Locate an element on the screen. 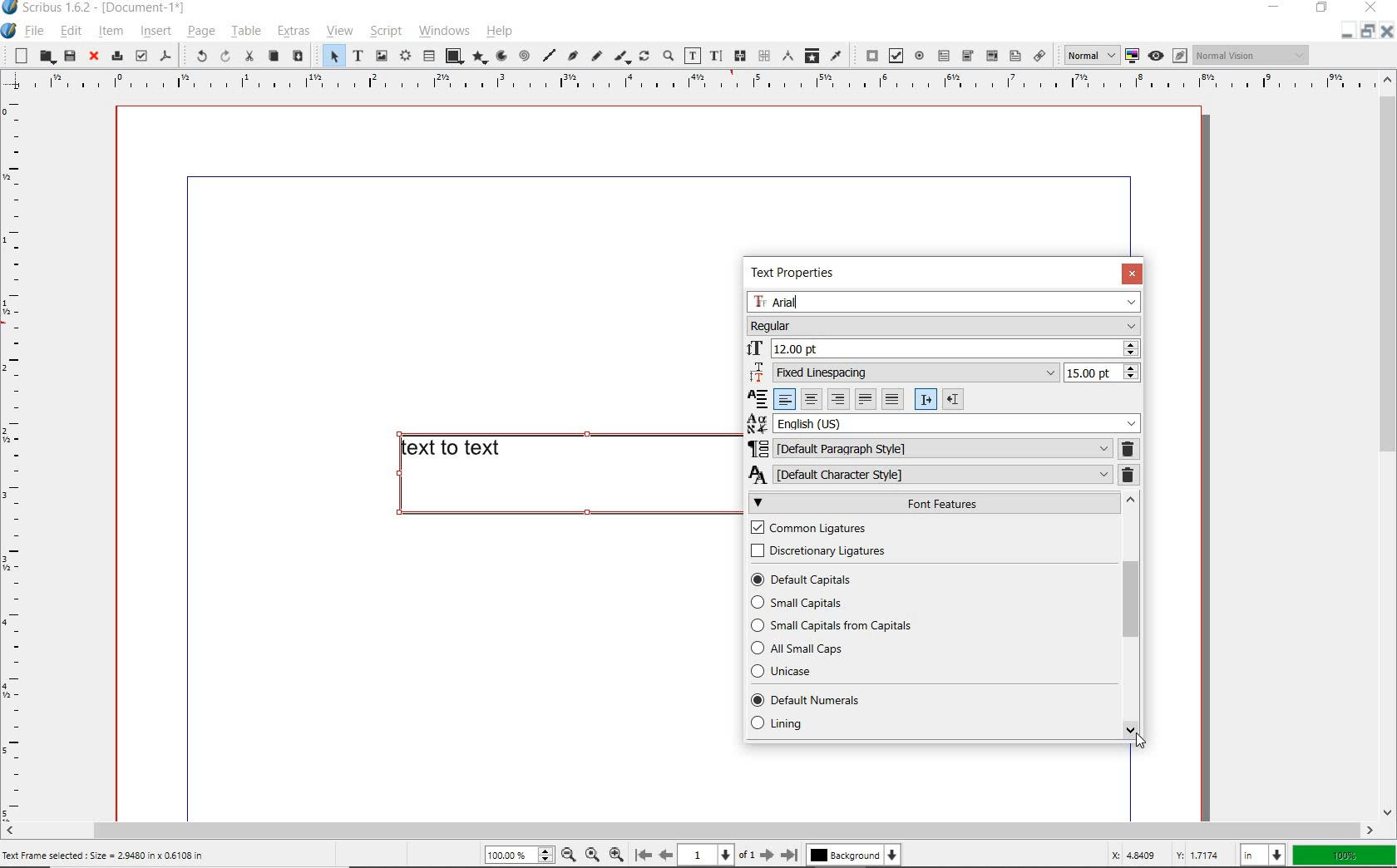 The width and height of the screenshot is (1397, 868). DEFAULT CAPITALS is located at coordinates (802, 579).